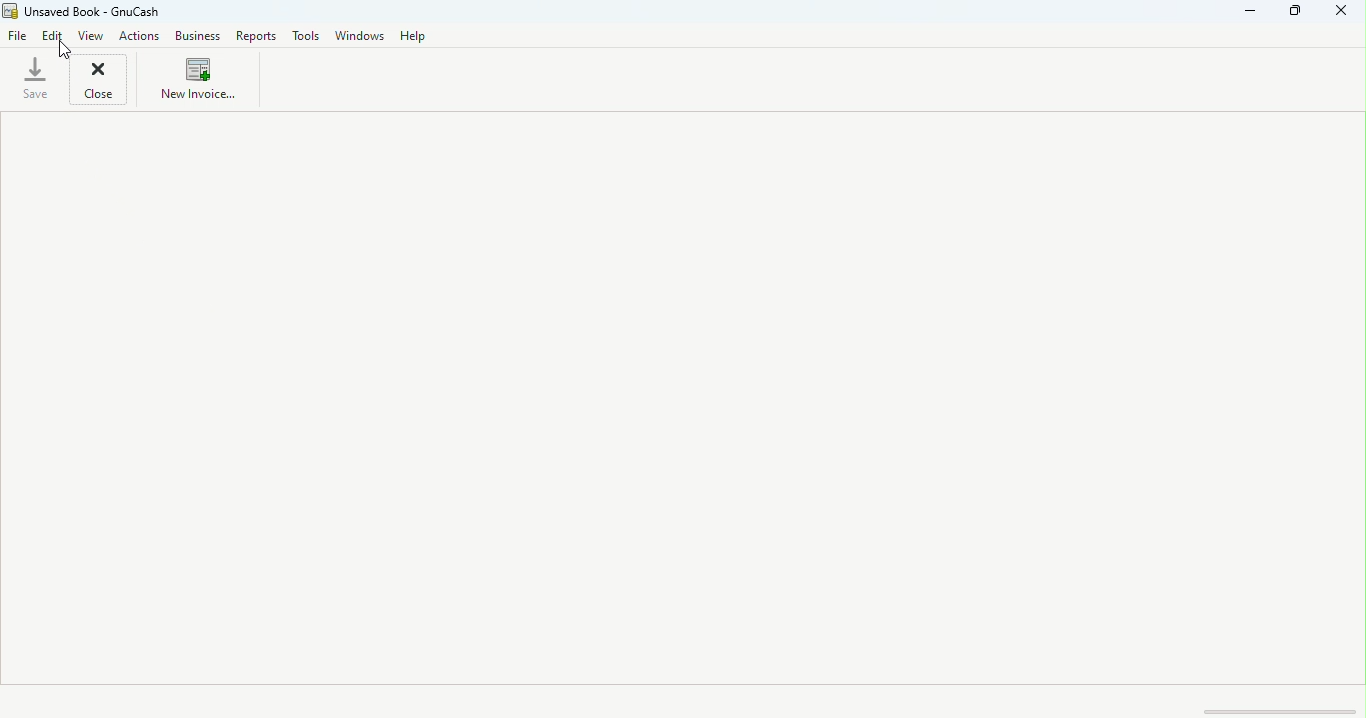  I want to click on Business, so click(199, 37).